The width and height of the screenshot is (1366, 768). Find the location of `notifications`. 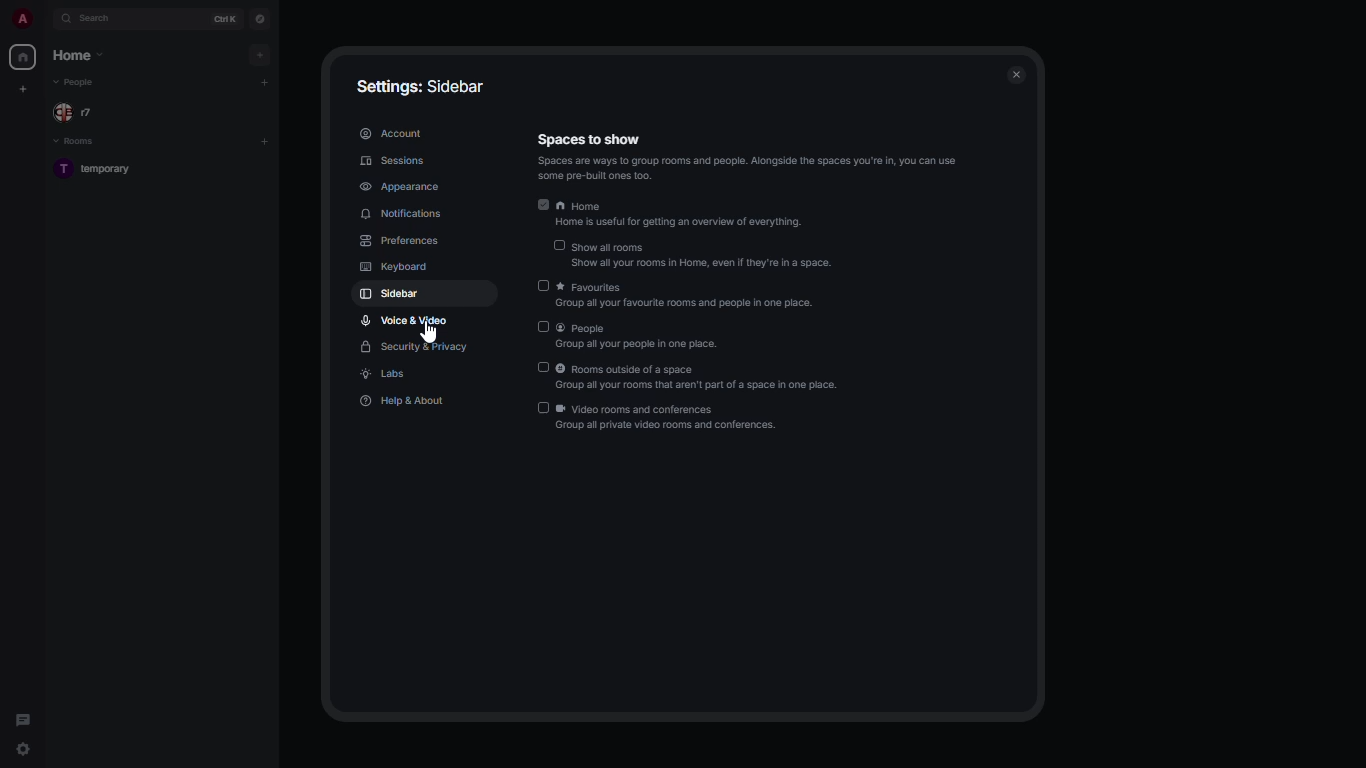

notifications is located at coordinates (403, 214).